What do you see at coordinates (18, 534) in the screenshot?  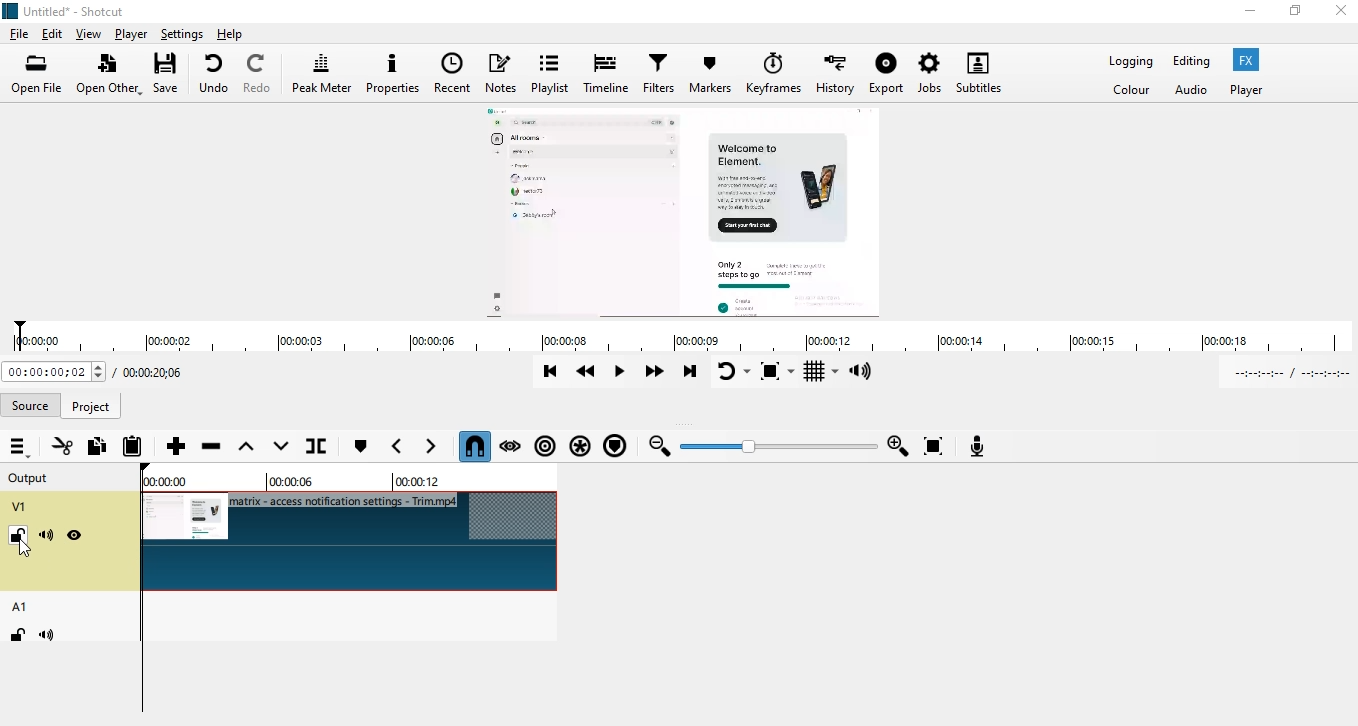 I see `lock` at bounding box center [18, 534].